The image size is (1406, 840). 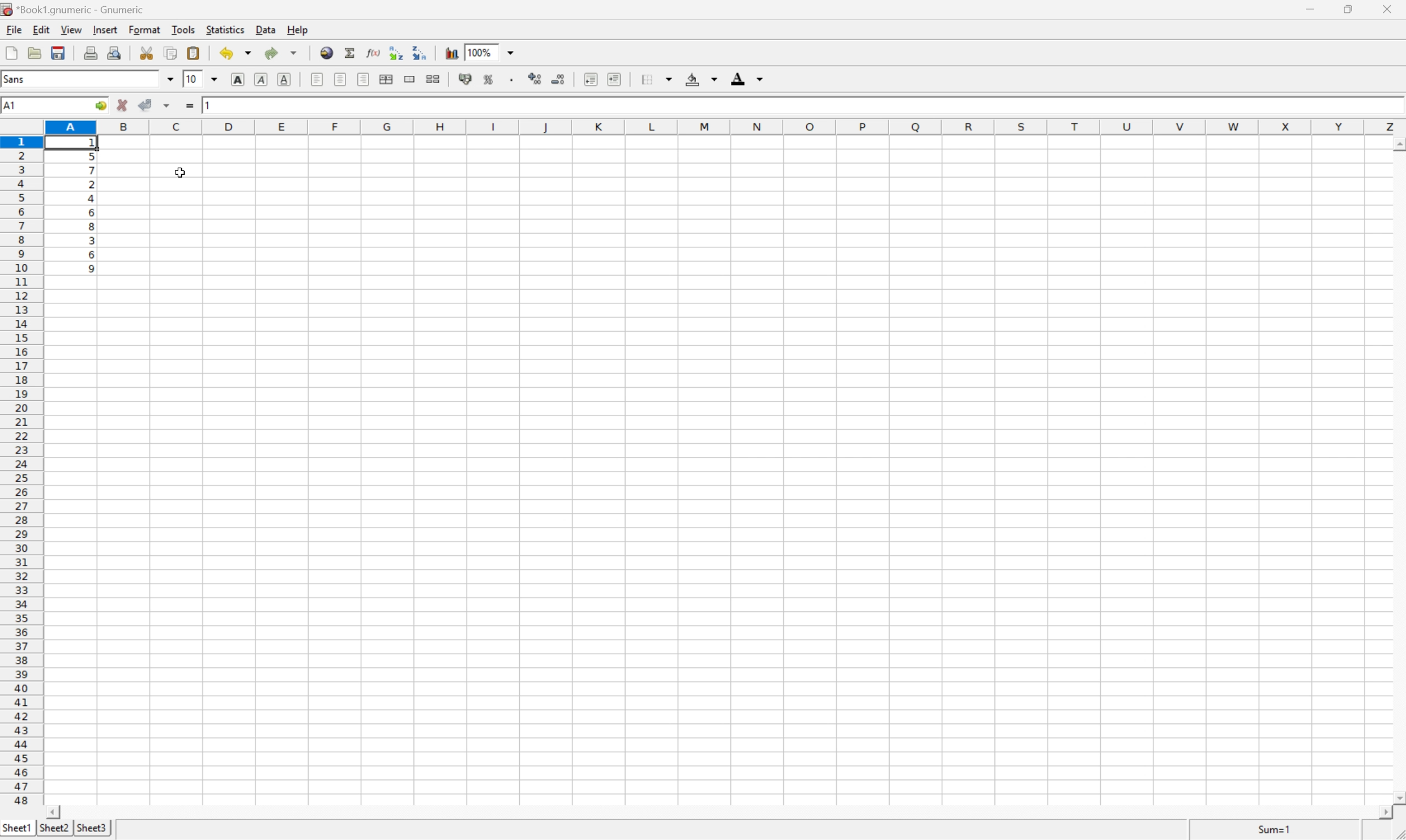 I want to click on tools, so click(x=183, y=31).